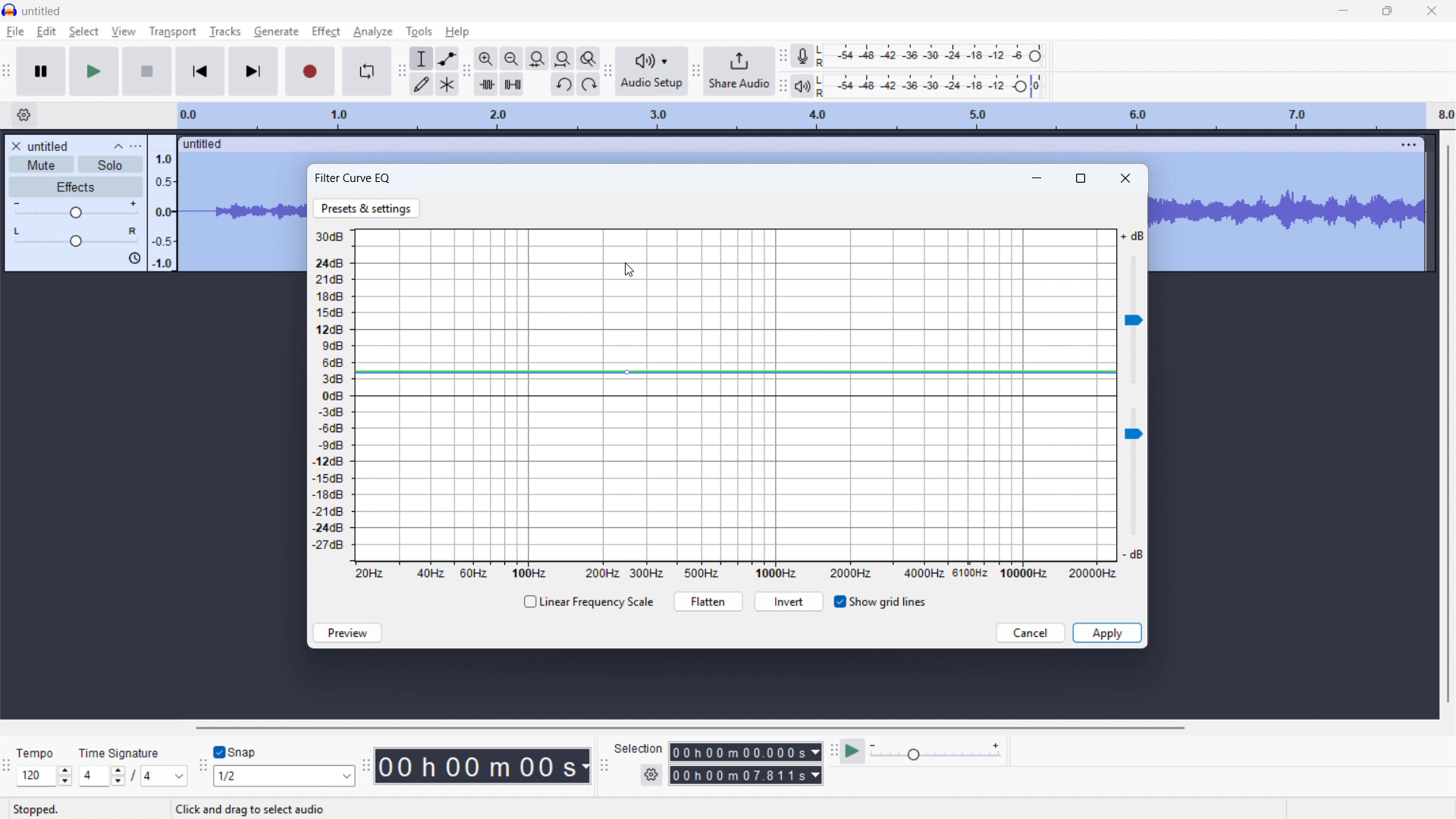  I want to click on Vertical scroll bar , so click(1448, 424).